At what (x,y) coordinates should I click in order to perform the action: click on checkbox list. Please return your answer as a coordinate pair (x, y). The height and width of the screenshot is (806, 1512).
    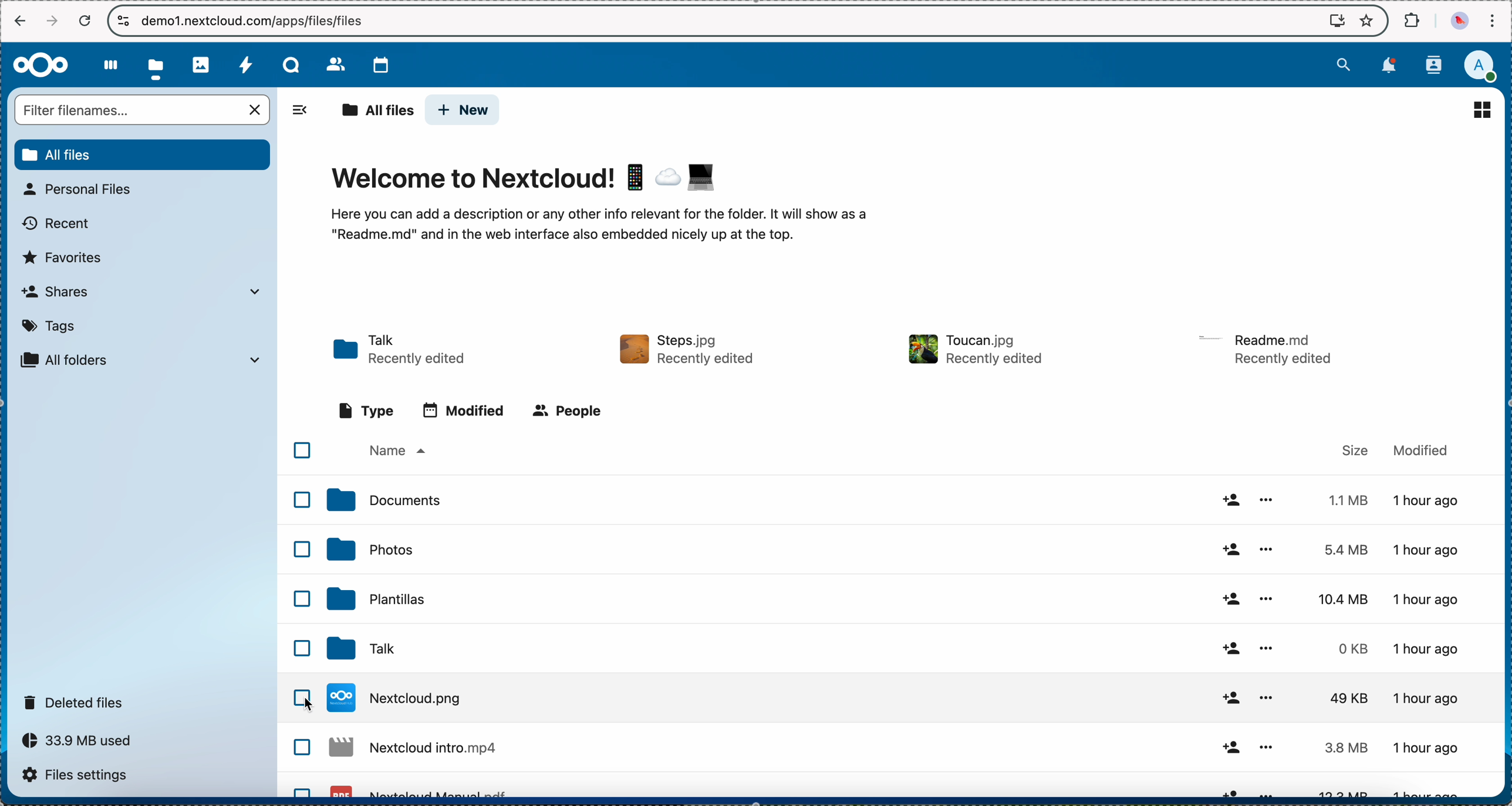
    Looking at the image, I should click on (302, 766).